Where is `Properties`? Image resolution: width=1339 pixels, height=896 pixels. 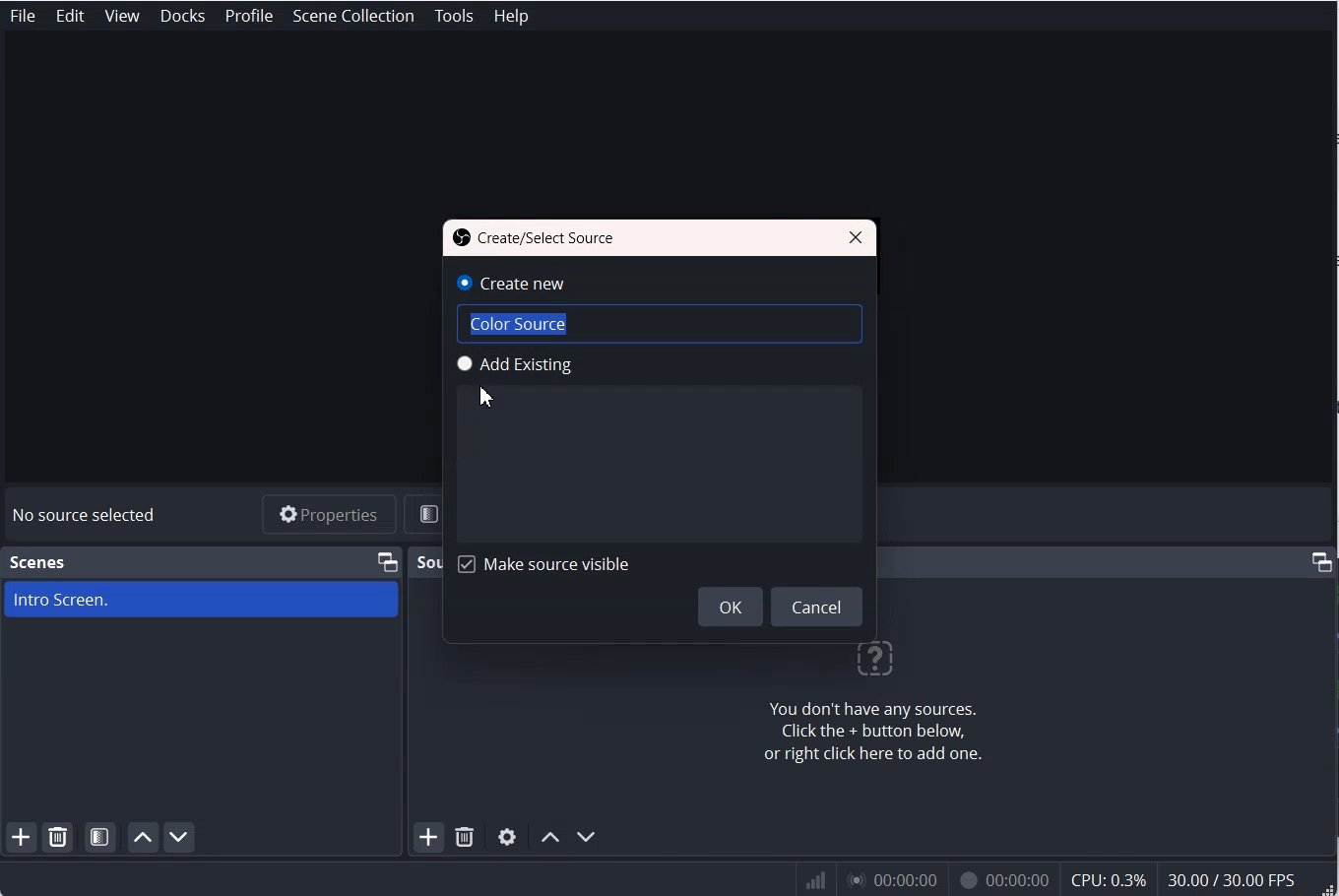 Properties is located at coordinates (328, 514).